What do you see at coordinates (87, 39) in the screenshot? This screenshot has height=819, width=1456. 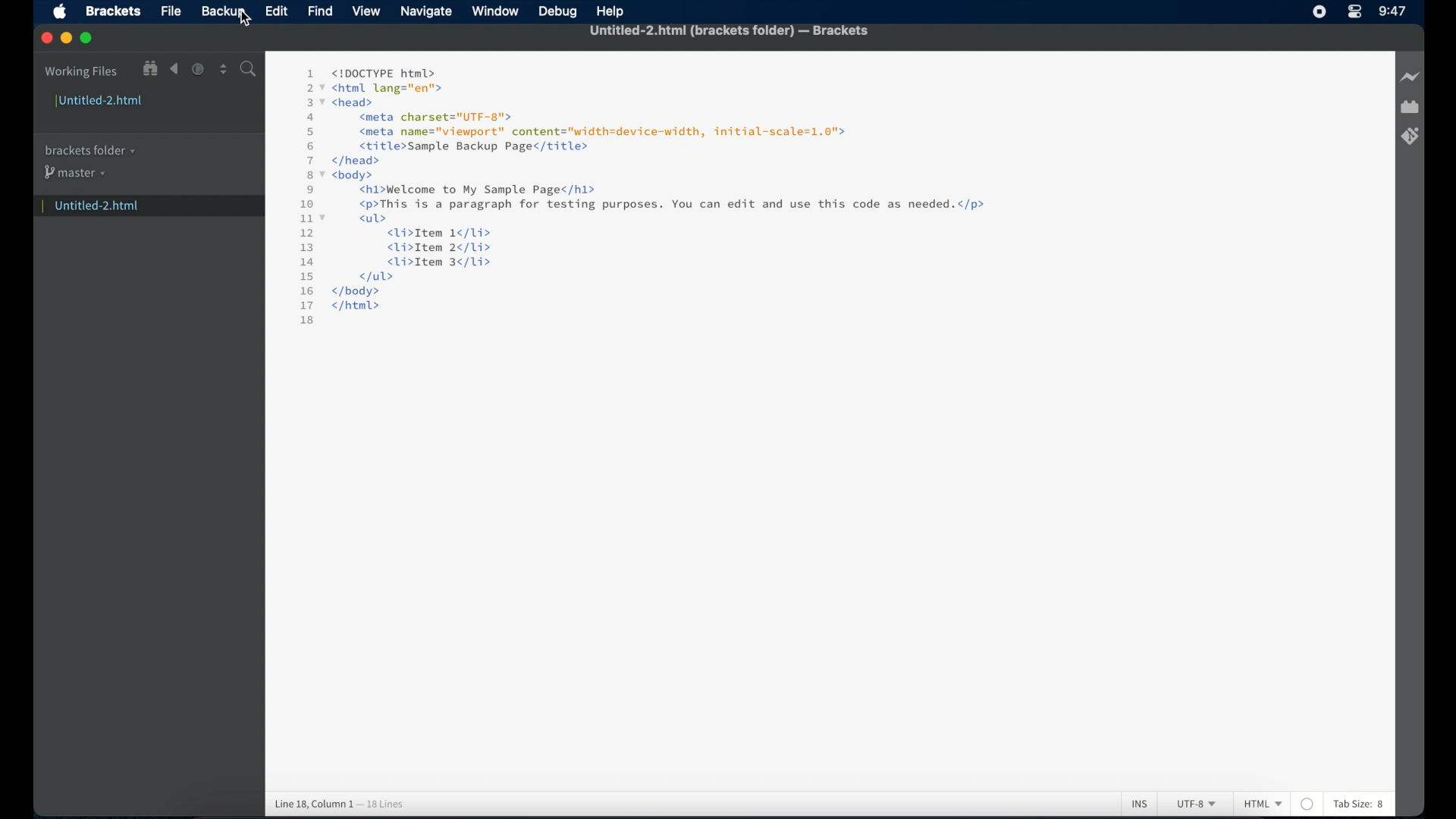 I see `maximize` at bounding box center [87, 39].